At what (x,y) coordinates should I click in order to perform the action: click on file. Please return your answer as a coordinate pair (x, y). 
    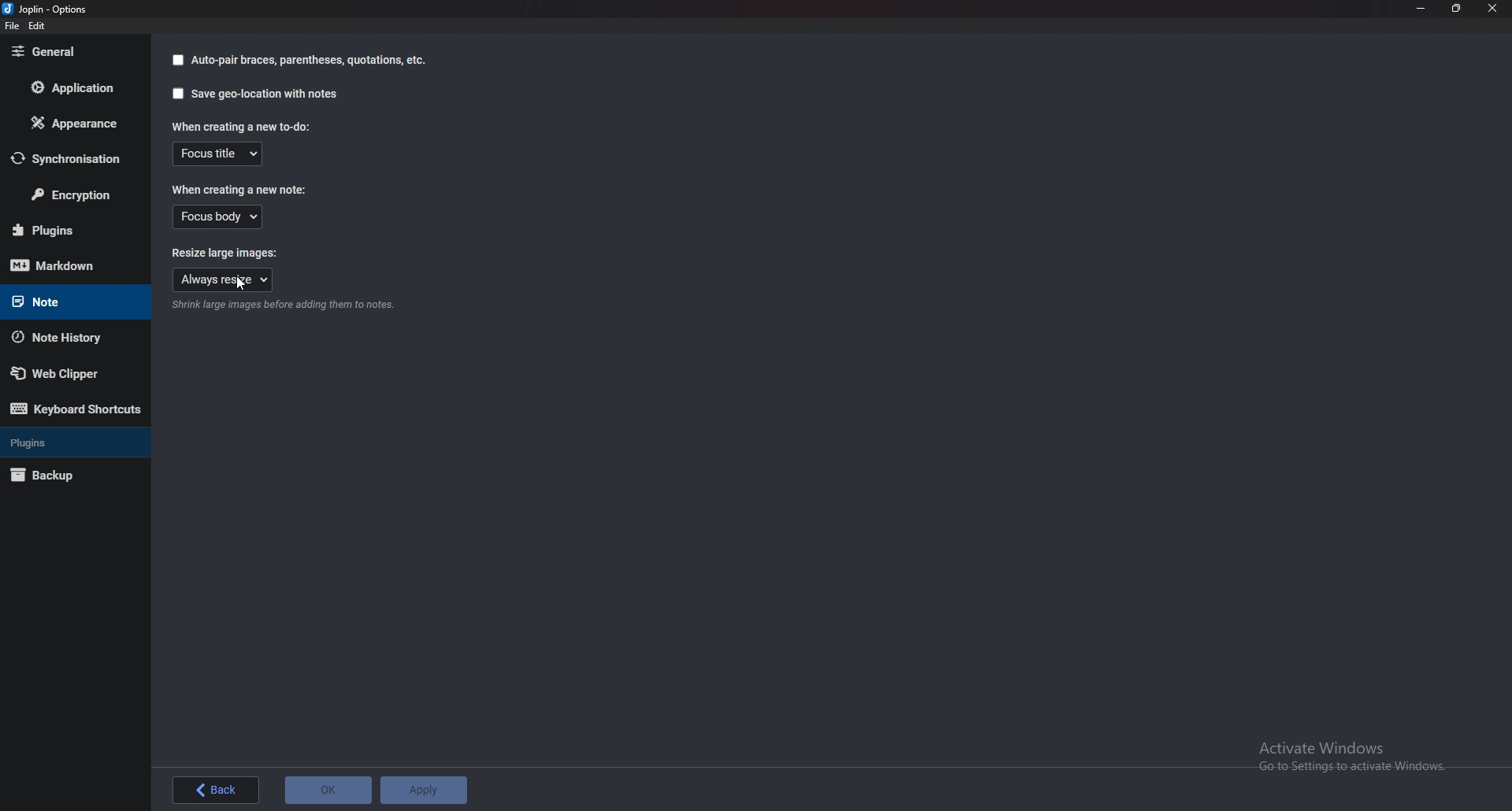
    Looking at the image, I should click on (12, 27).